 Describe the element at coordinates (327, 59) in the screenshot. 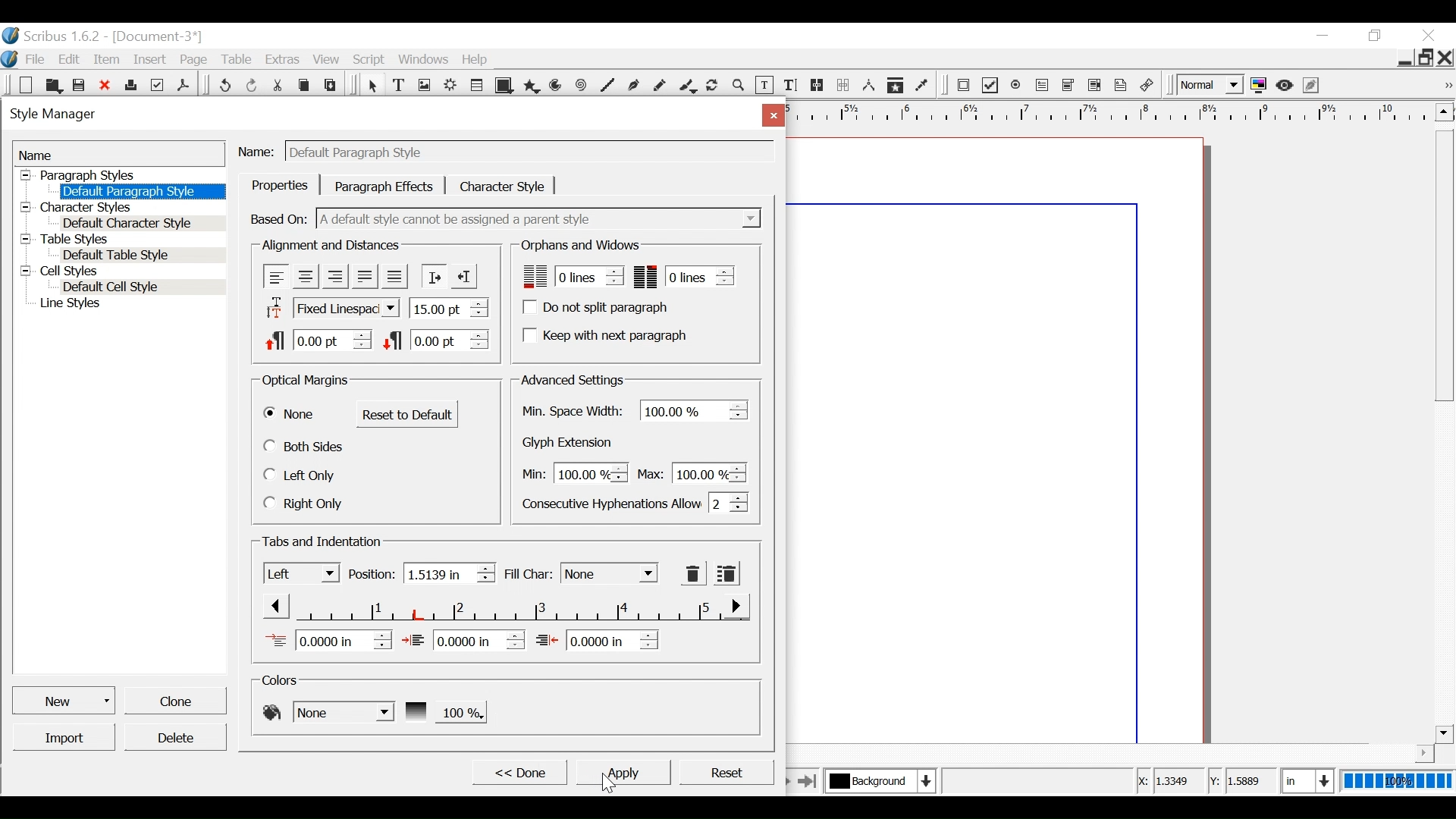

I see `View` at that location.